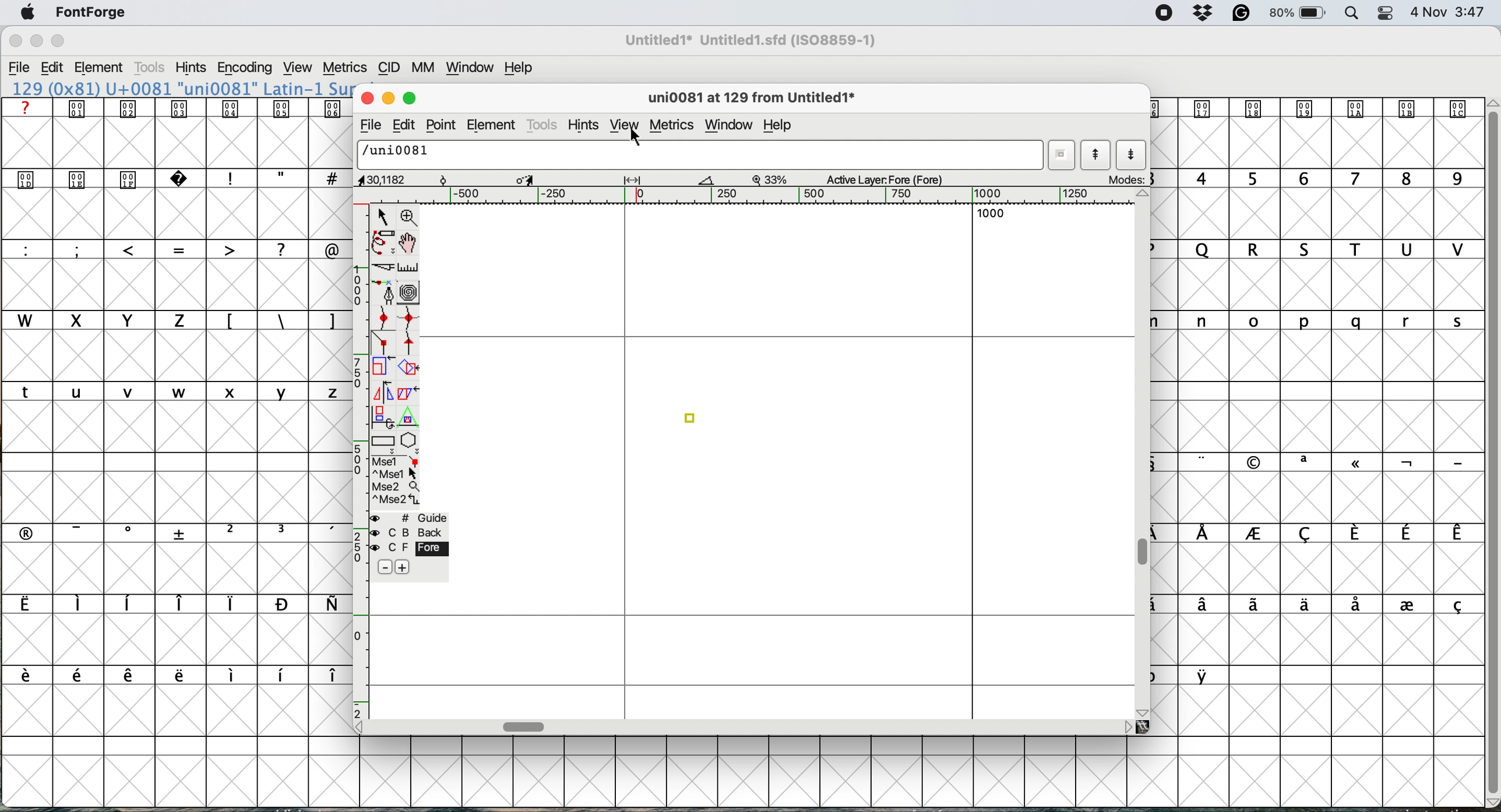 The width and height of the screenshot is (1501, 812). What do you see at coordinates (584, 124) in the screenshot?
I see `hints` at bounding box center [584, 124].